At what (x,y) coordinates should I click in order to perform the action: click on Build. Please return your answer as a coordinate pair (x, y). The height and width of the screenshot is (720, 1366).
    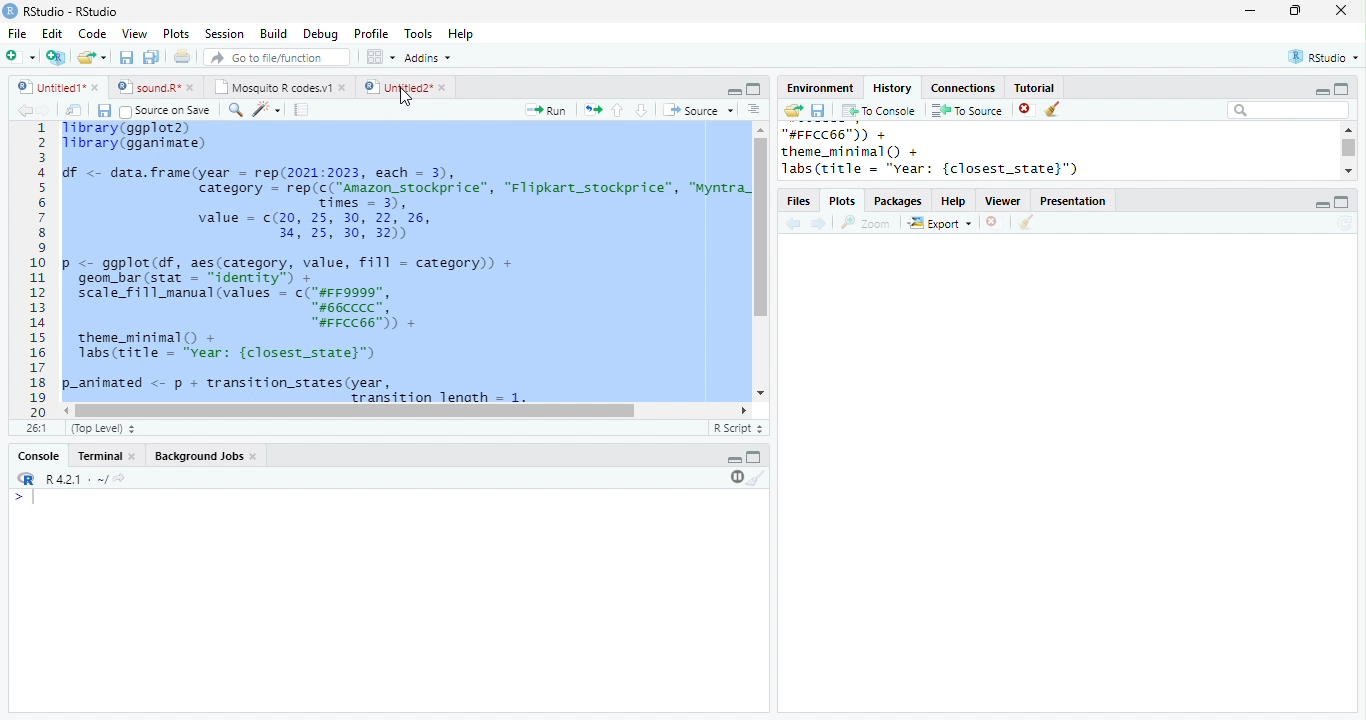
    Looking at the image, I should click on (273, 33).